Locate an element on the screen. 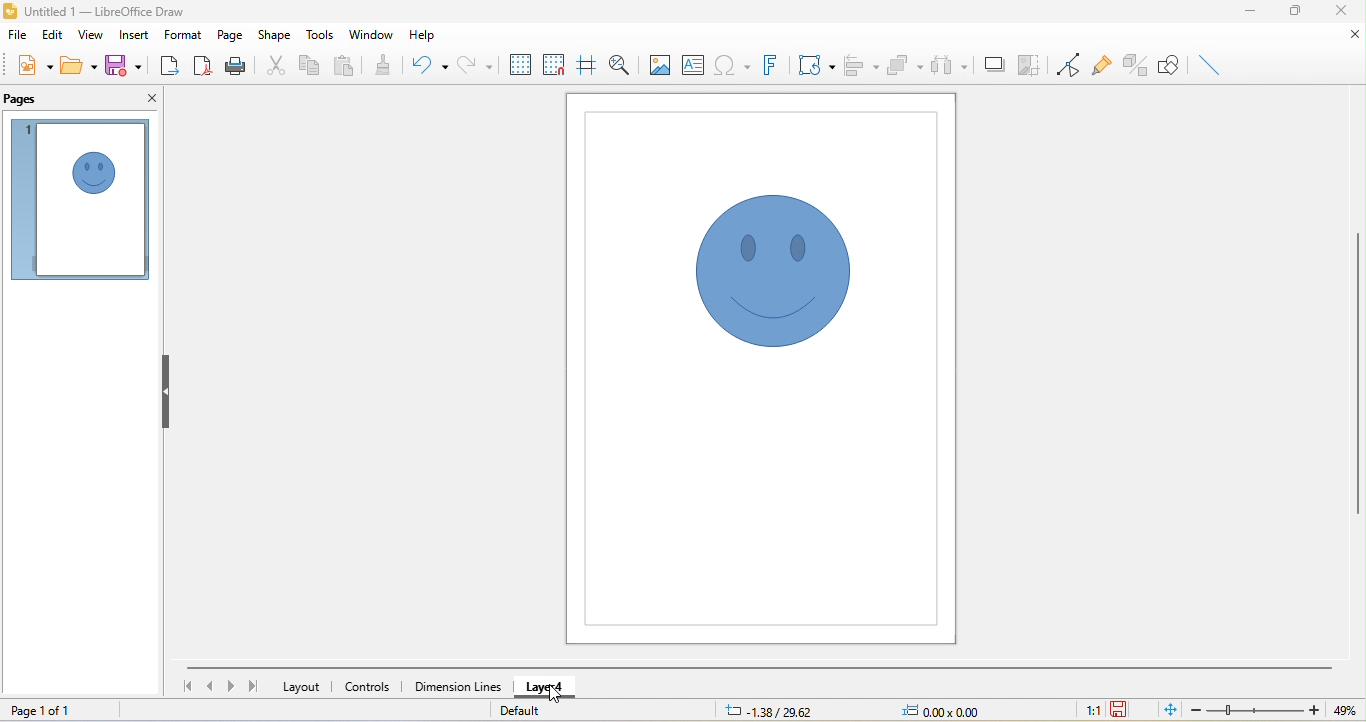 The image size is (1366, 722).  vertical scroll bar is located at coordinates (1357, 371).